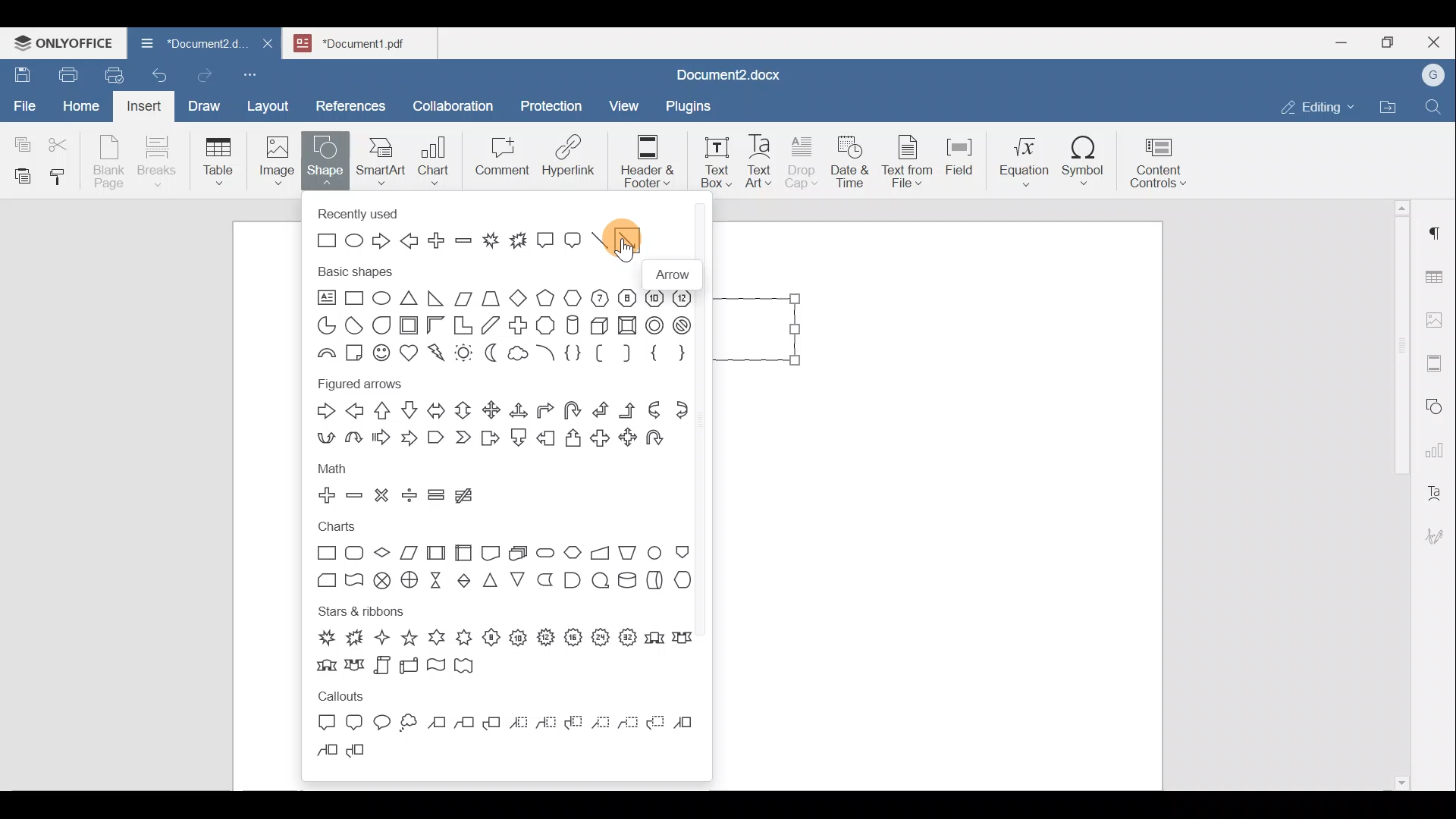  Describe the element at coordinates (499, 314) in the screenshot. I see `Basic shapes` at that location.